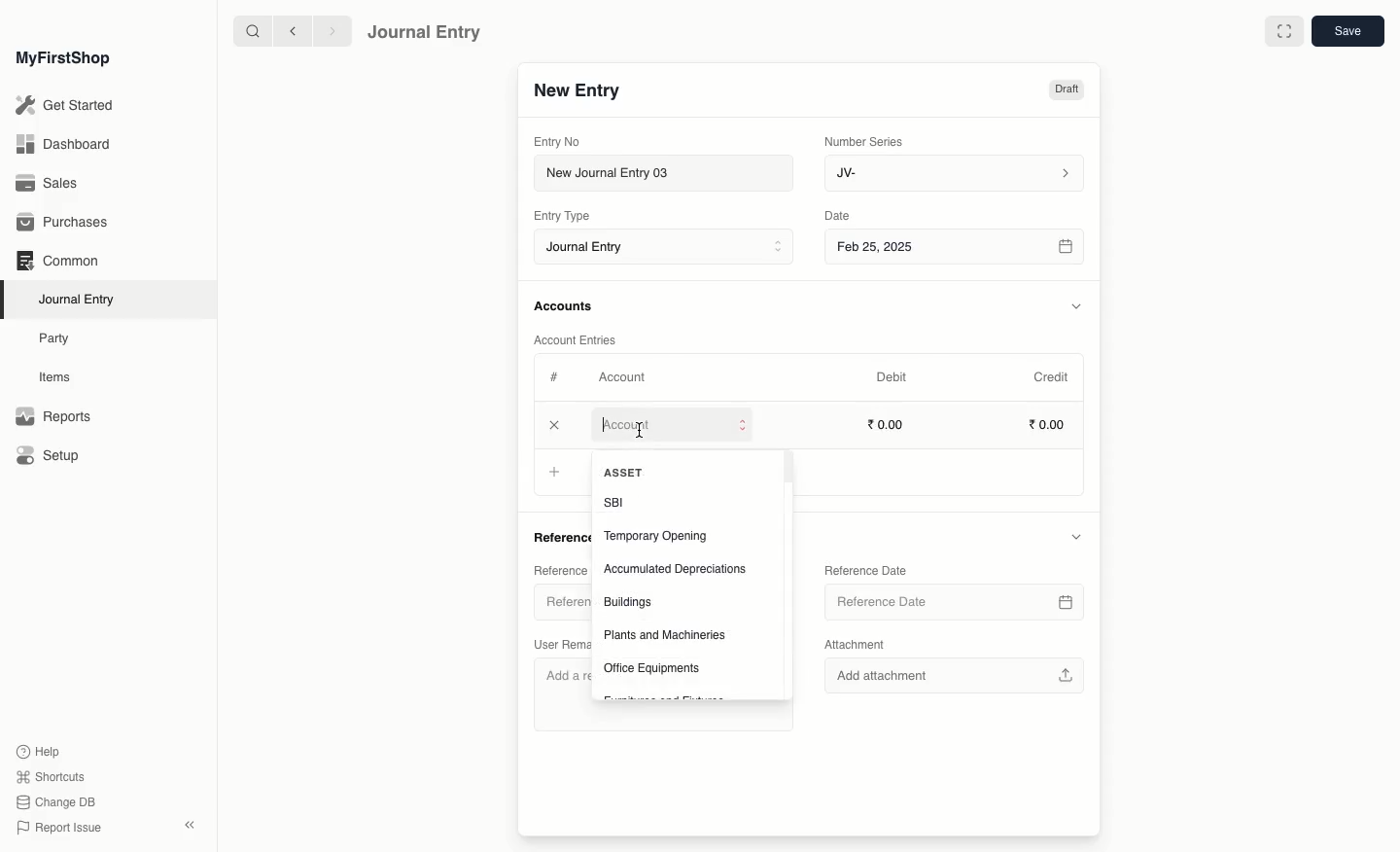 The height and width of the screenshot is (852, 1400). I want to click on Collapse, so click(190, 825).